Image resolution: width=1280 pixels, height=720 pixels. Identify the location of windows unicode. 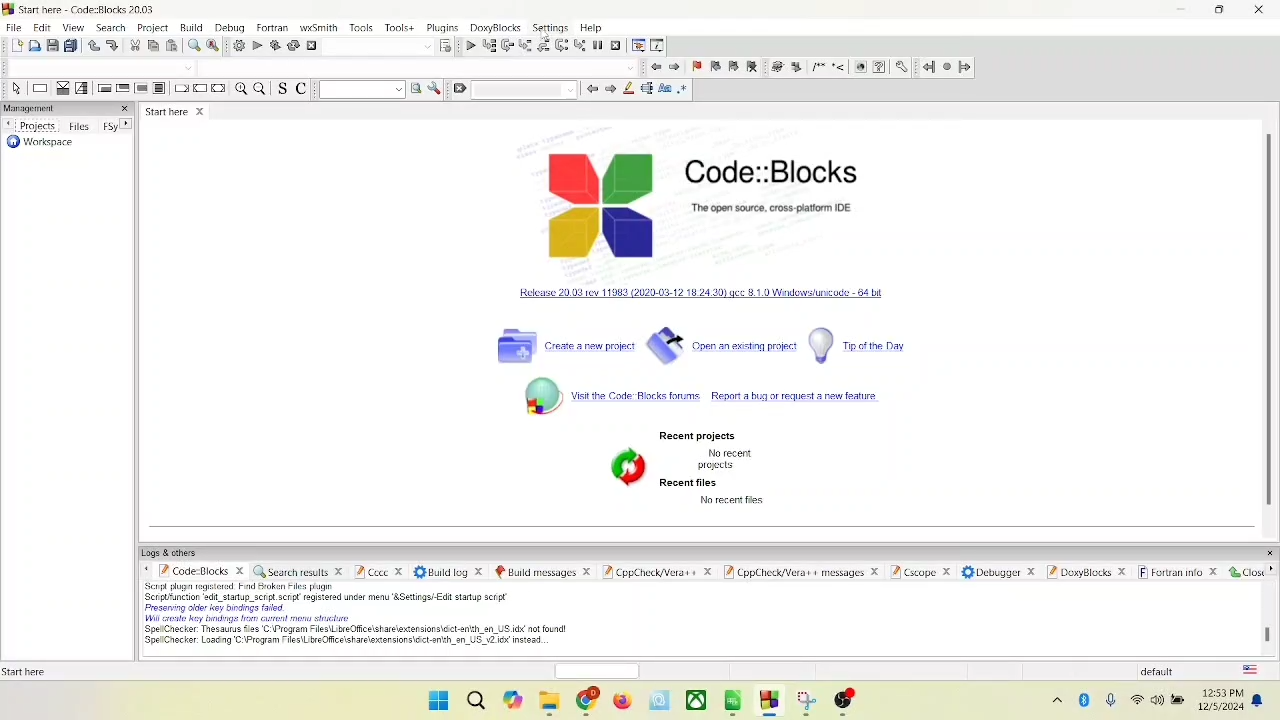
(722, 297).